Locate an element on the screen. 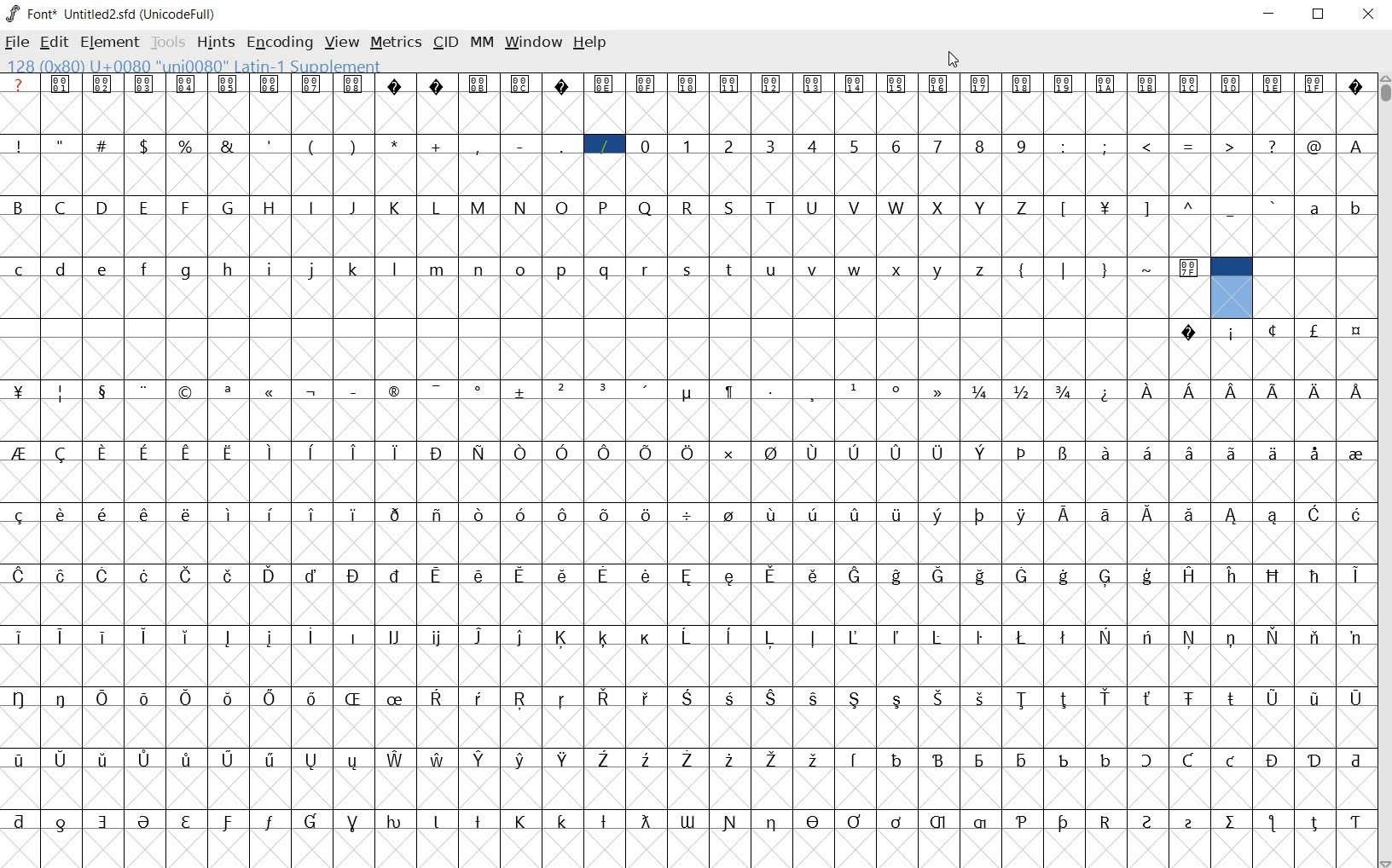 The width and height of the screenshot is (1392, 868). Symbol is located at coordinates (1147, 451).